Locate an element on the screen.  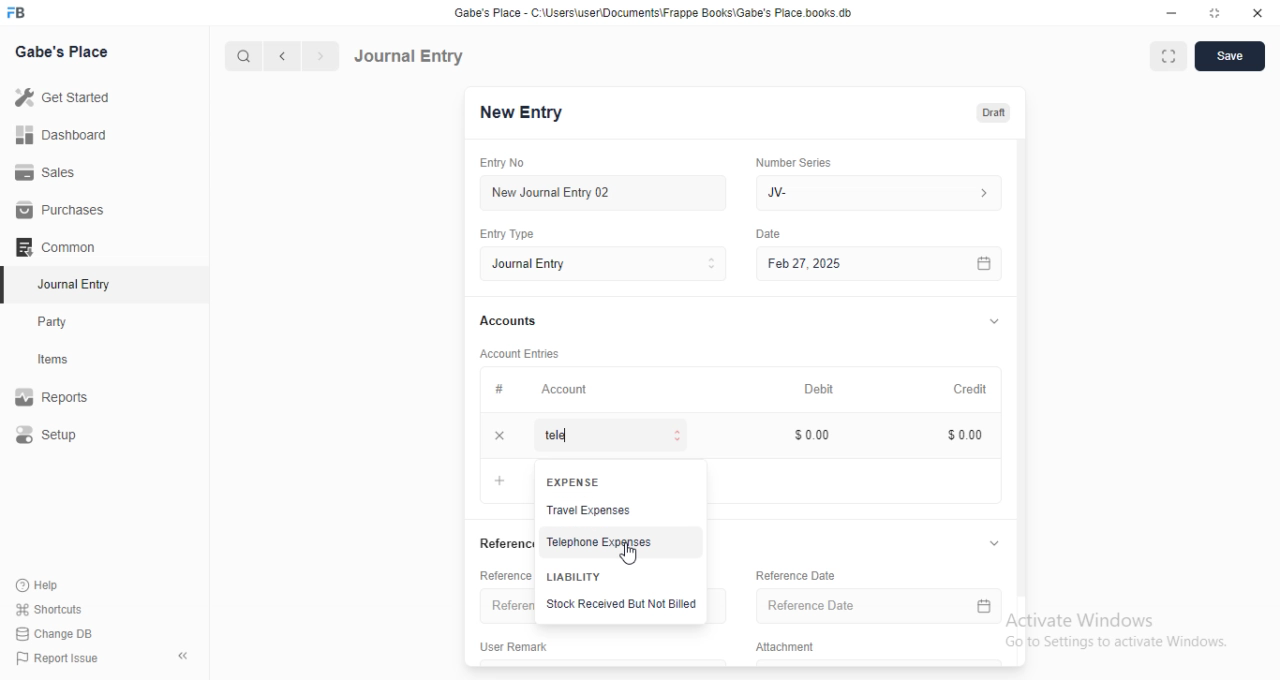
‘Attachment is located at coordinates (783, 646).